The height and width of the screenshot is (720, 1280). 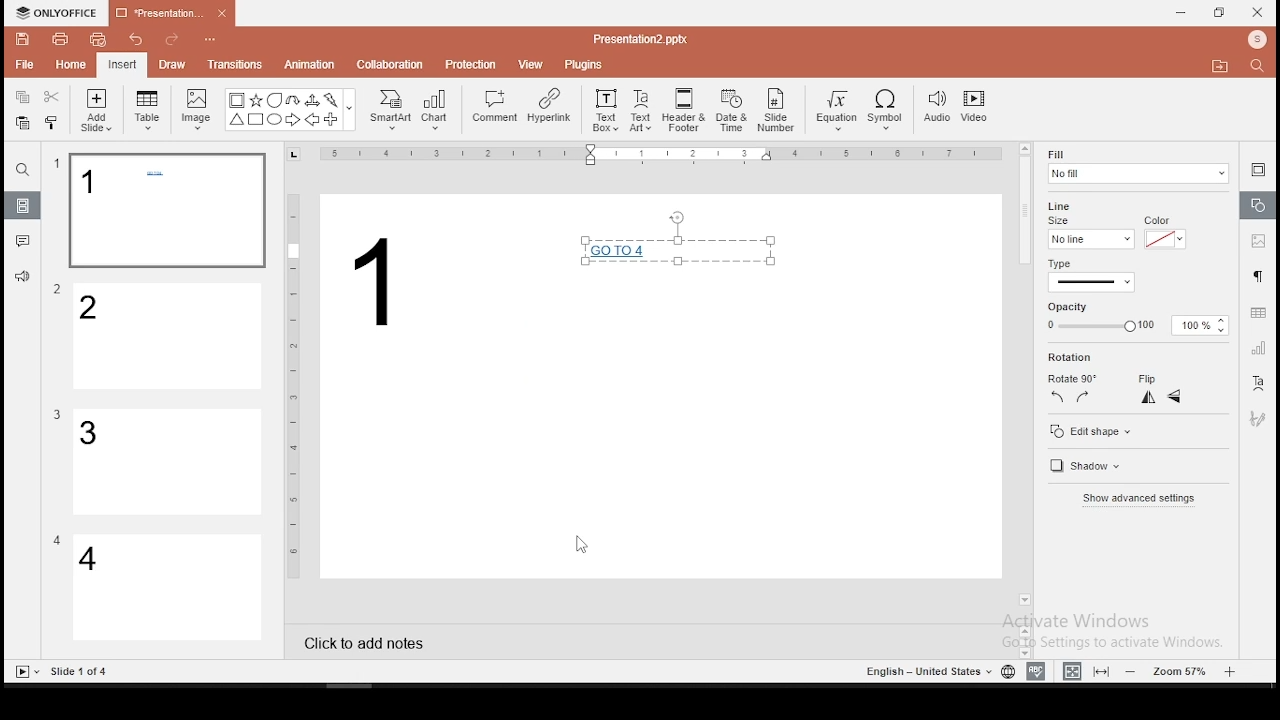 I want to click on save, so click(x=23, y=38).